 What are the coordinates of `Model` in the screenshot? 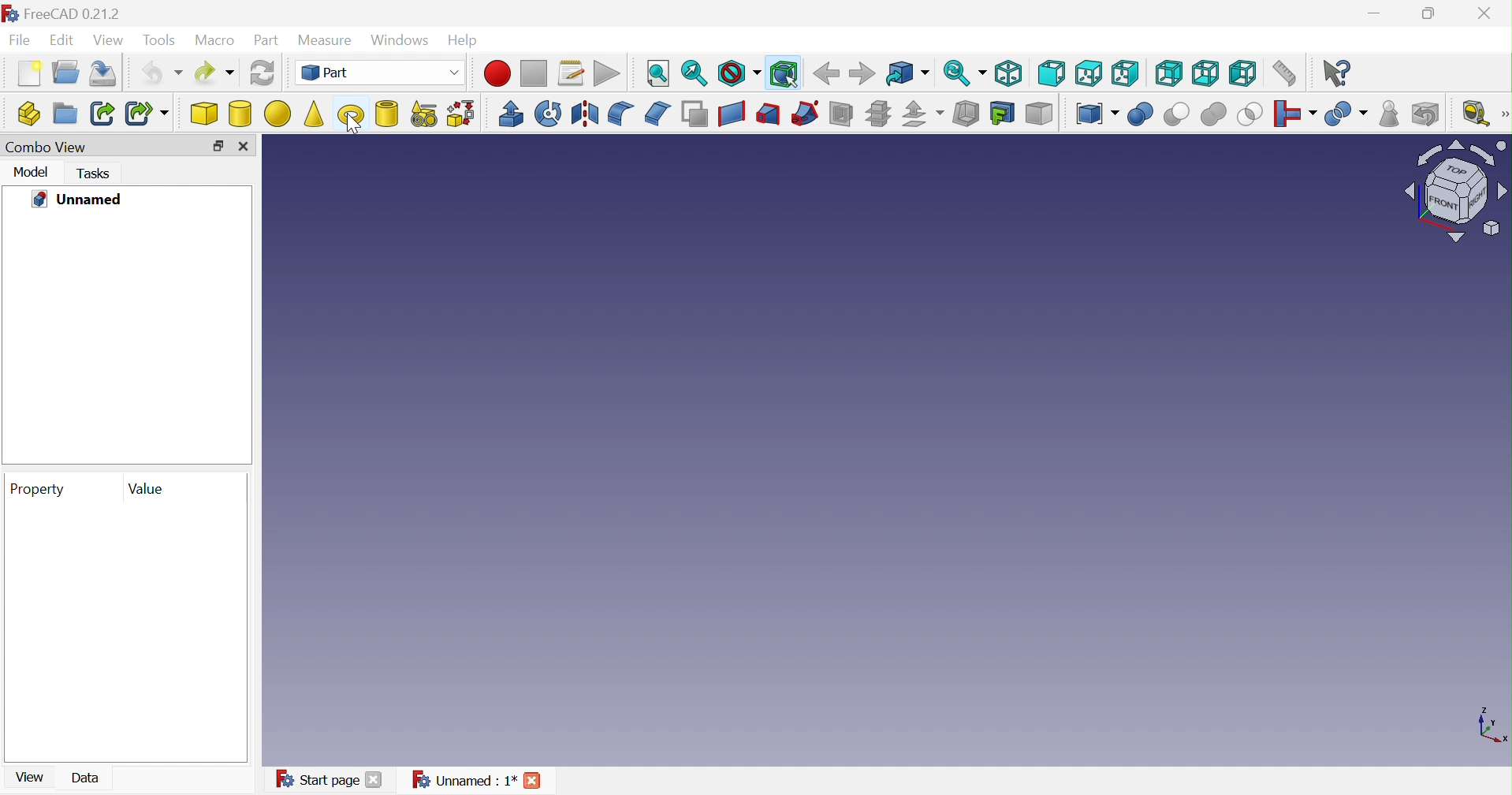 It's located at (32, 172).